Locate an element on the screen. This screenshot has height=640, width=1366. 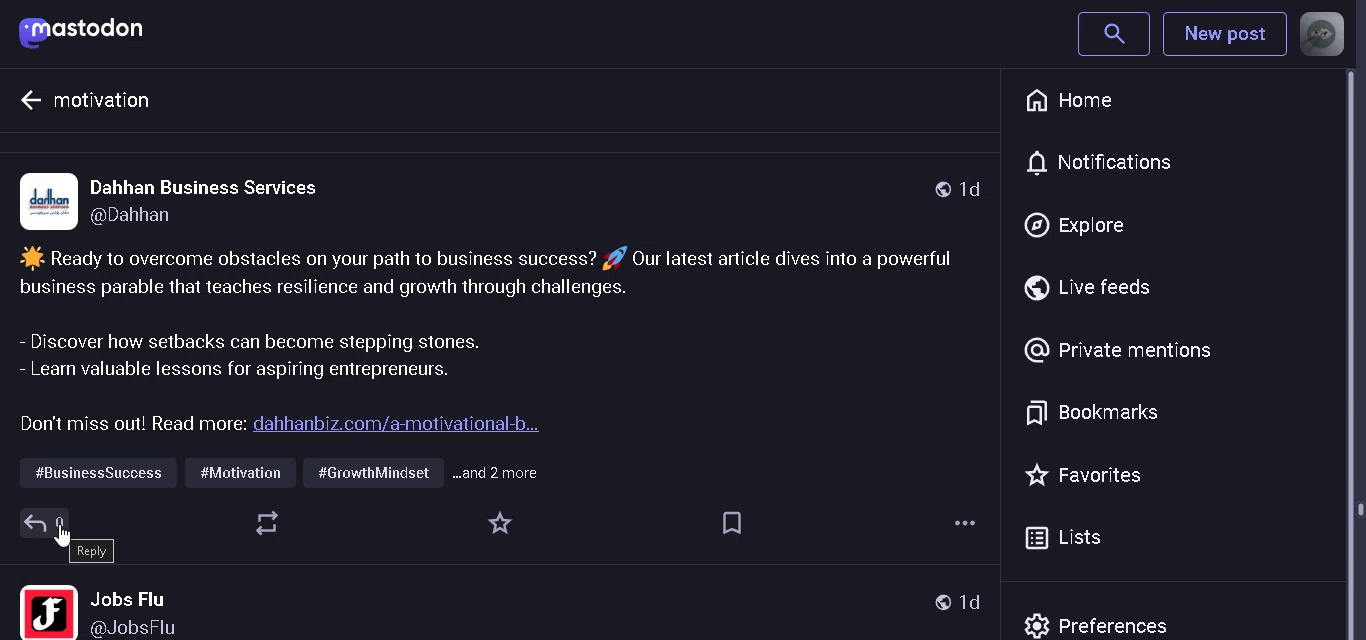
favorites is located at coordinates (498, 523).